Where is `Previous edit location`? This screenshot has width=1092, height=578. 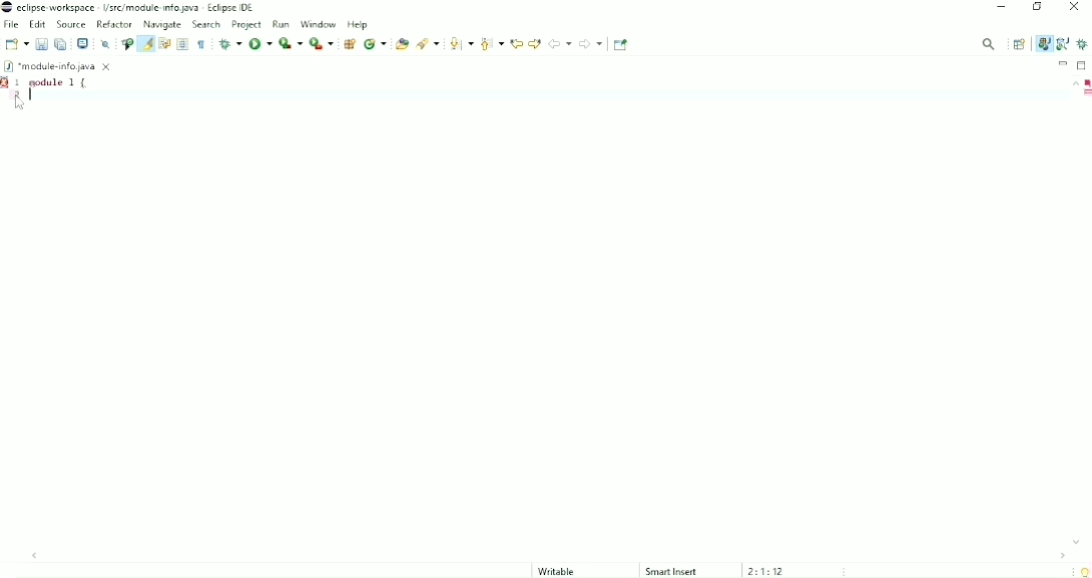
Previous edit location is located at coordinates (516, 43).